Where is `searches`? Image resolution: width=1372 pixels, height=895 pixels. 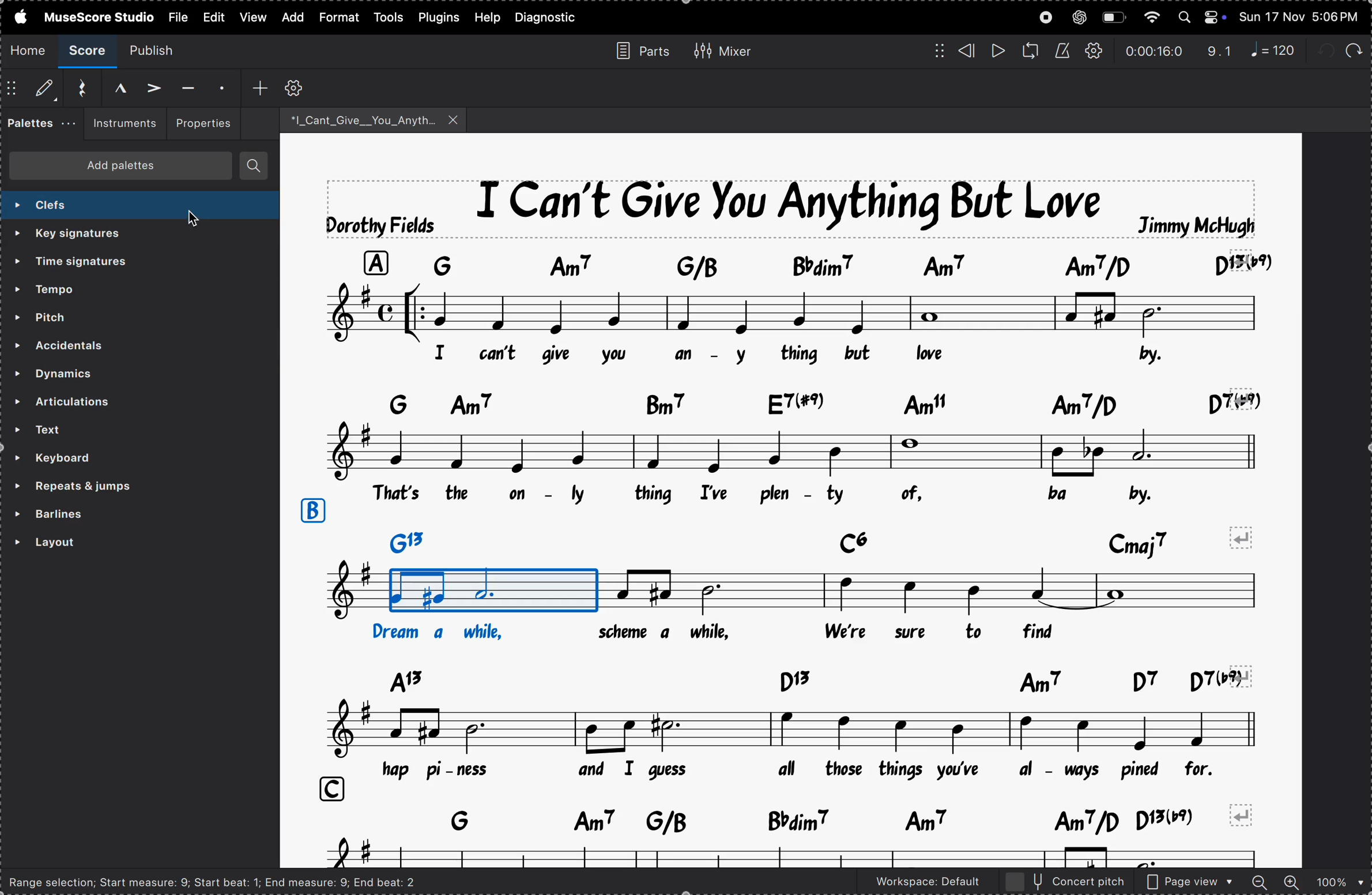 searches is located at coordinates (255, 165).